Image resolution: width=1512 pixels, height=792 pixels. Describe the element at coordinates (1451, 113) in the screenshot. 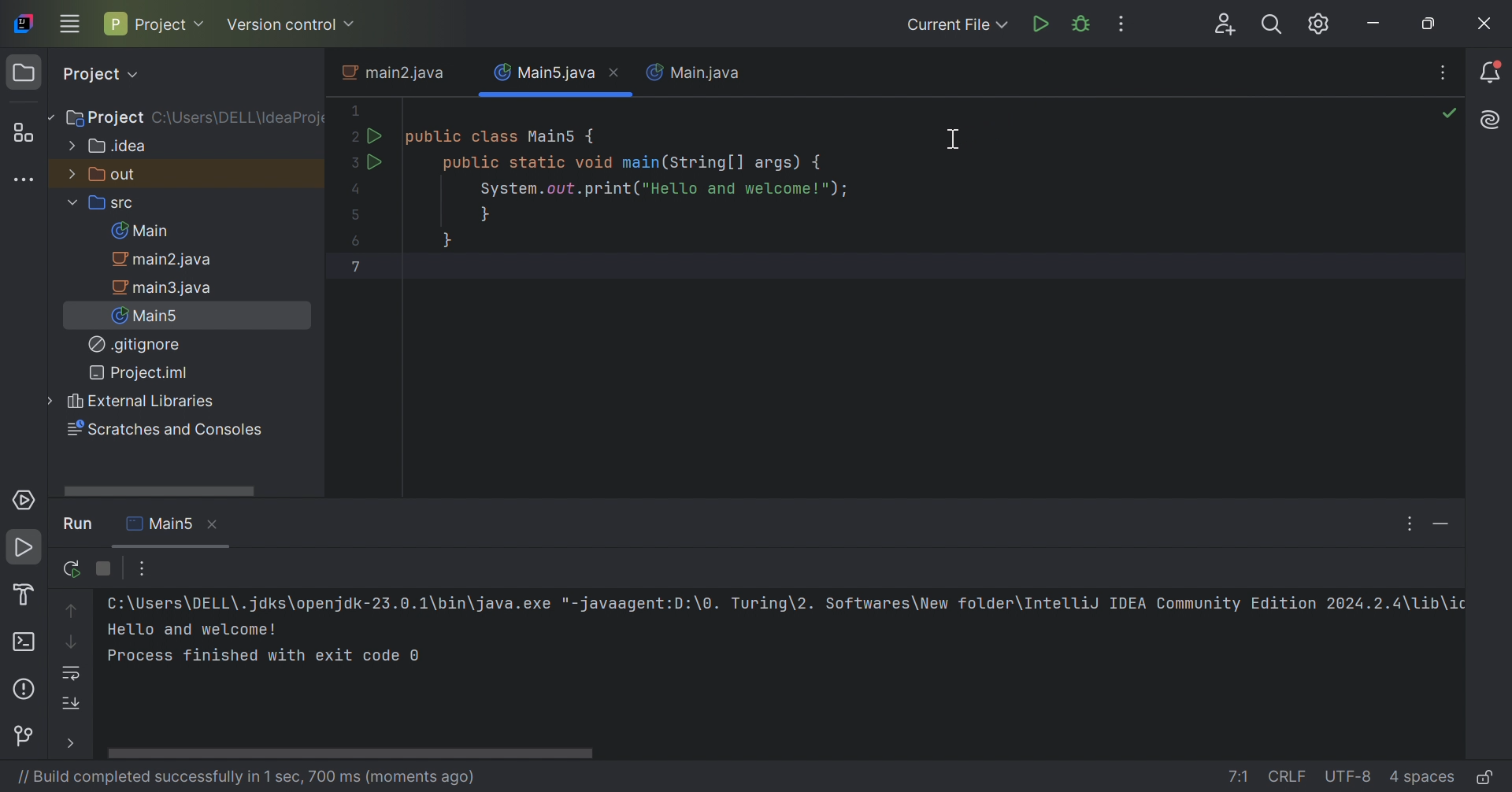

I see `No problems` at that location.